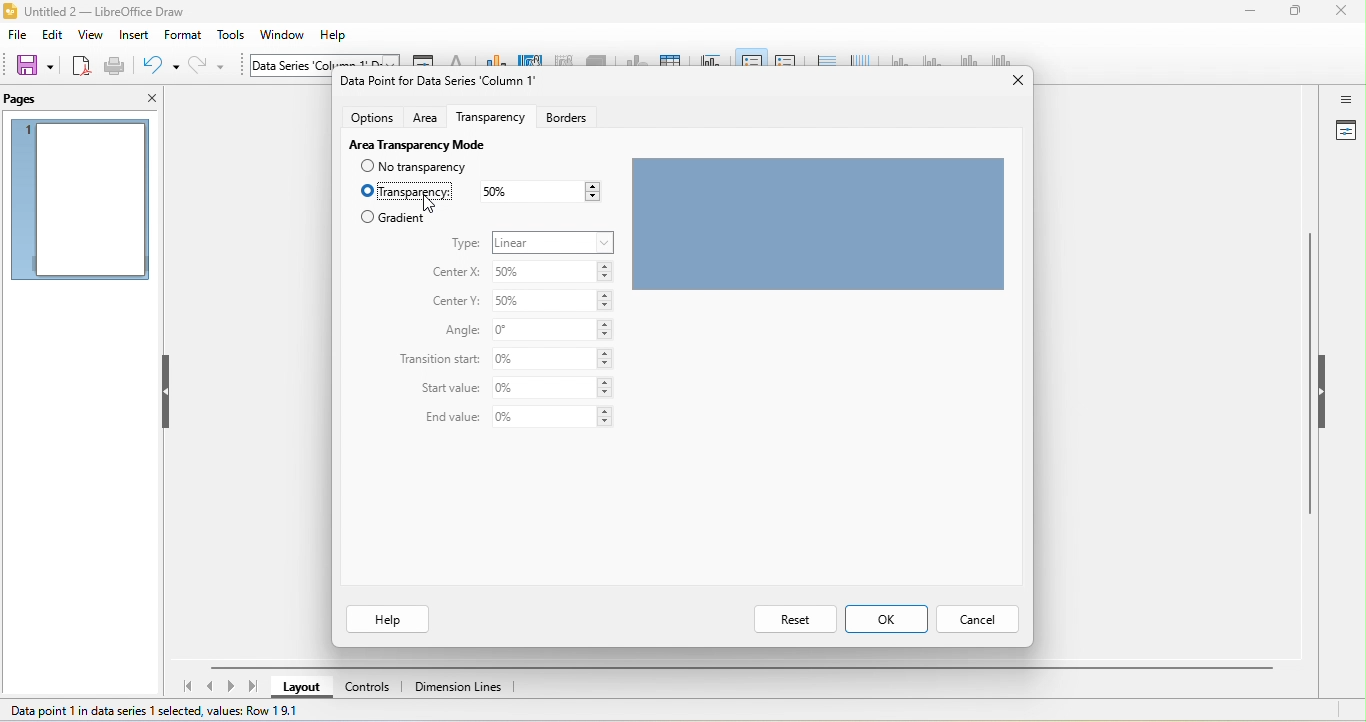 This screenshot has height=722, width=1366. I want to click on checkbox, so click(366, 217).